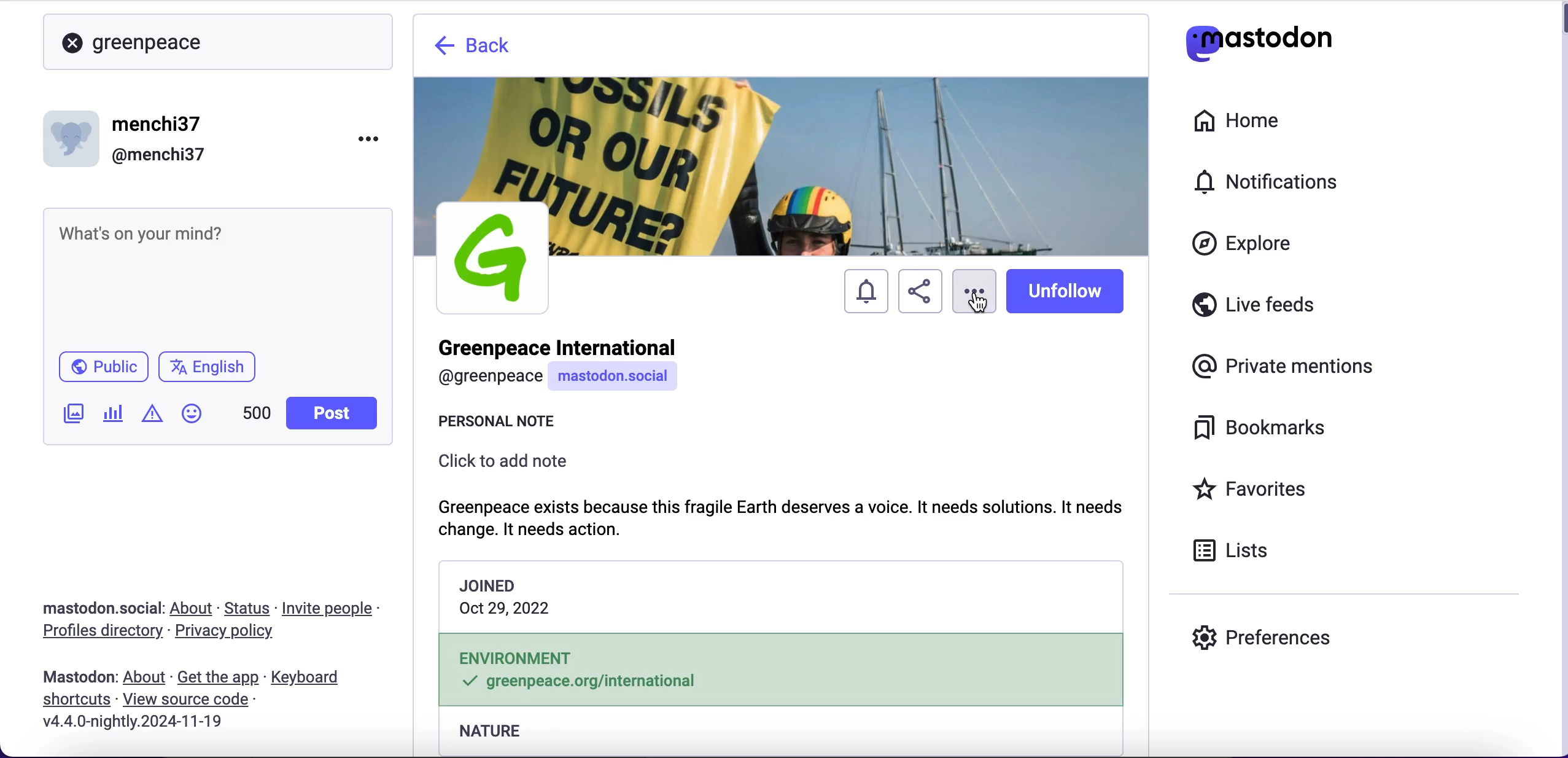 The height and width of the screenshot is (758, 1568). What do you see at coordinates (1254, 309) in the screenshot?
I see `live feeds` at bounding box center [1254, 309].